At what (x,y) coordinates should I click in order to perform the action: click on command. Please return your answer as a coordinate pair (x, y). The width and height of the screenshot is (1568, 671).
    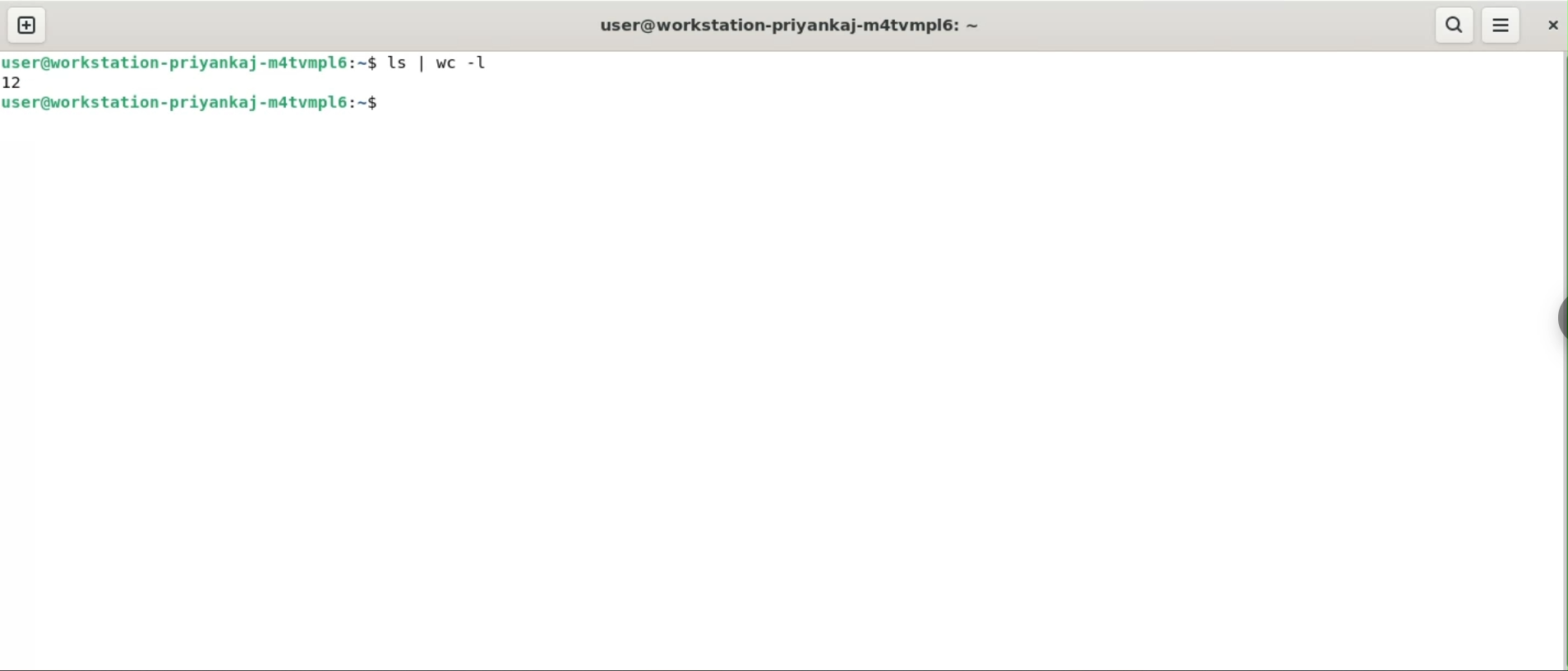
    Looking at the image, I should click on (448, 64).